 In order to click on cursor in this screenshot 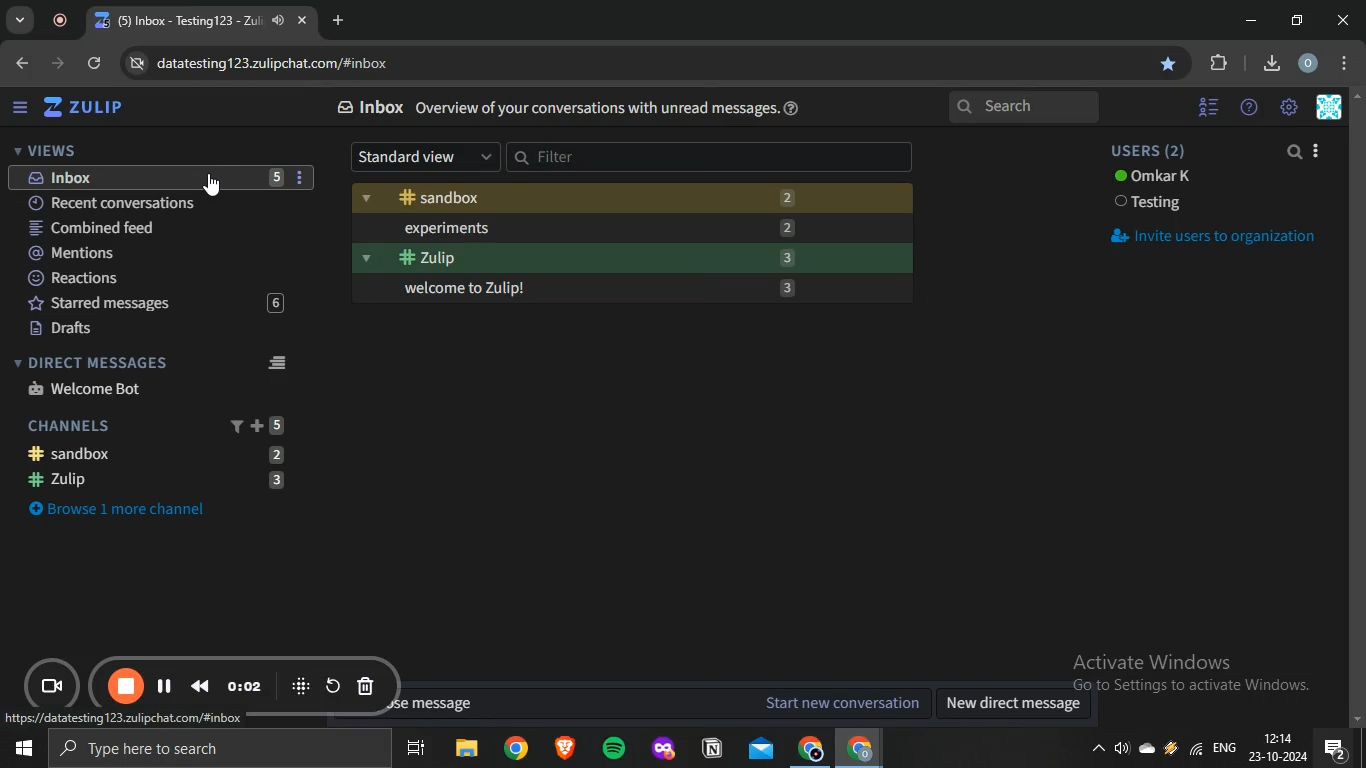, I will do `click(213, 185)`.